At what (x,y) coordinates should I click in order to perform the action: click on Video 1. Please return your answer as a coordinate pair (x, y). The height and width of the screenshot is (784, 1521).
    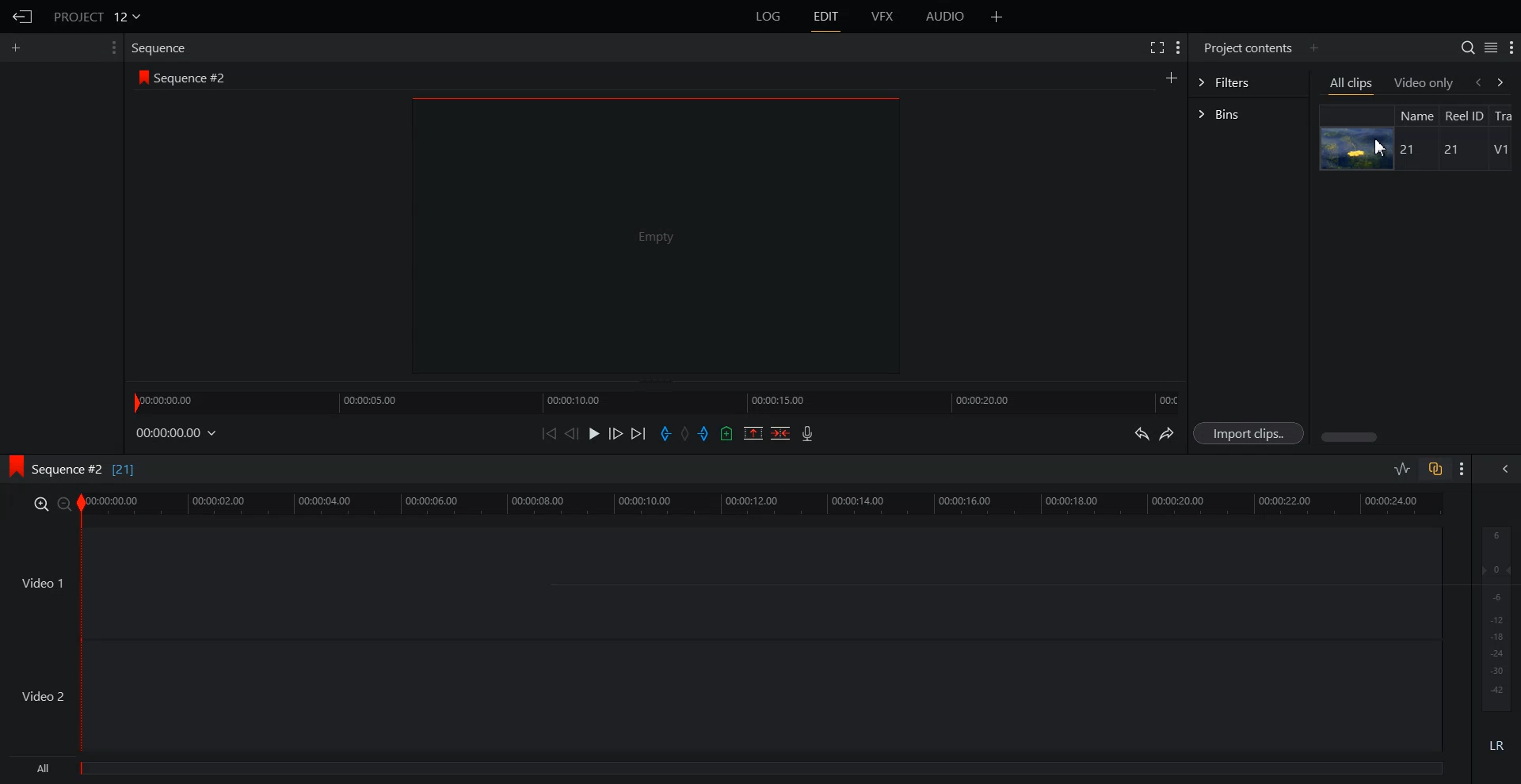
    Looking at the image, I should click on (722, 582).